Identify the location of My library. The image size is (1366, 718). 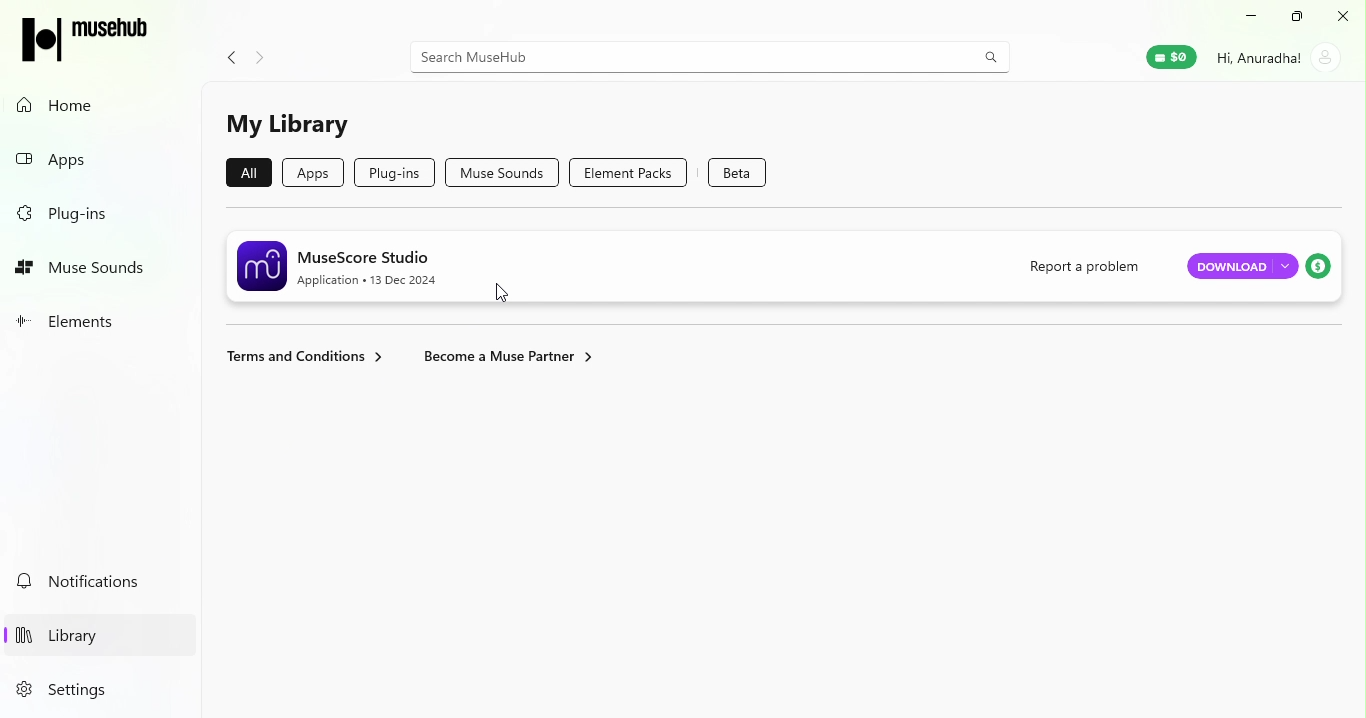
(289, 125).